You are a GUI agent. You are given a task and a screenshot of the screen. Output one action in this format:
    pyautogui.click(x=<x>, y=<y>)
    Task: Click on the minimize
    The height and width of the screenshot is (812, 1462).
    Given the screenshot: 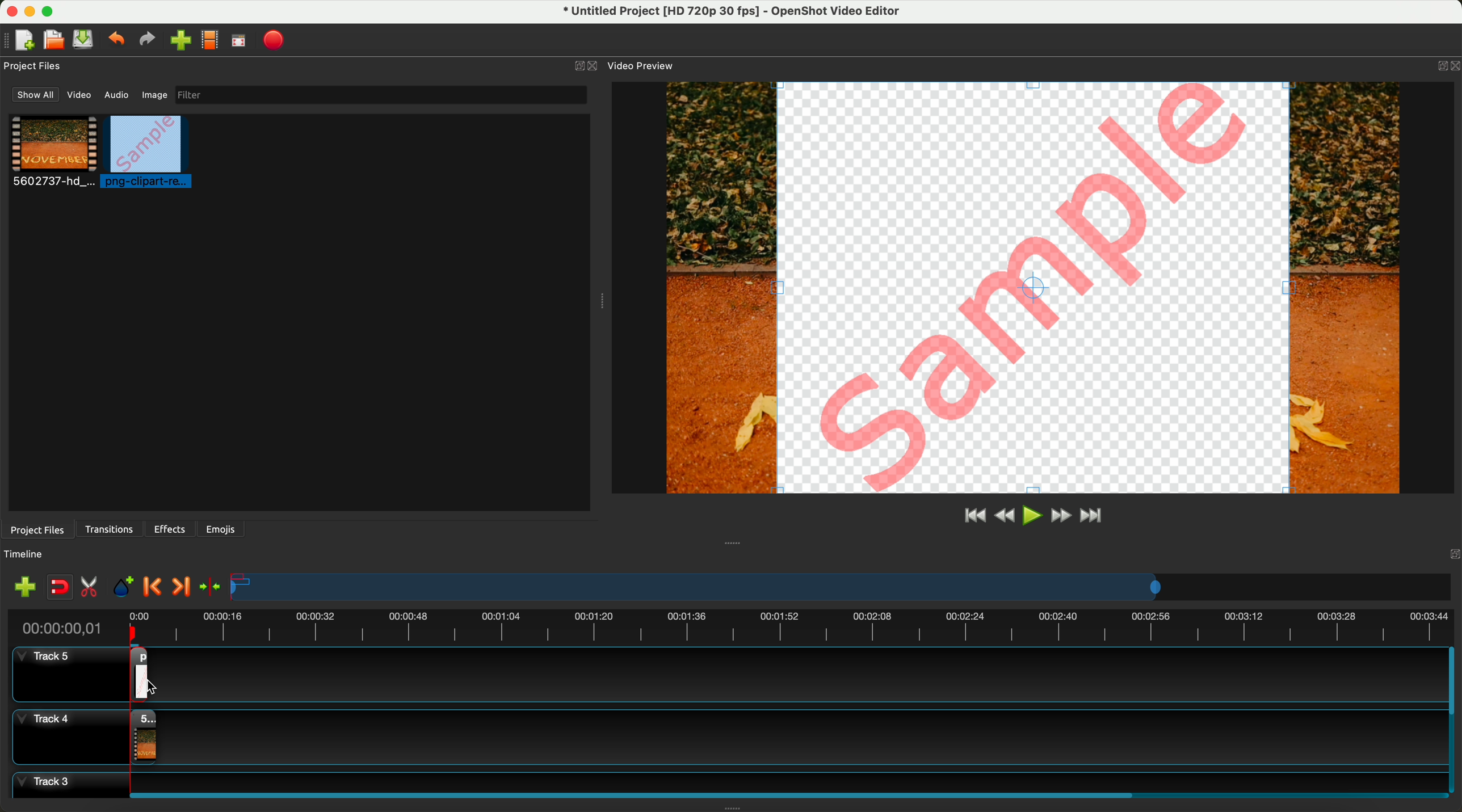 What is the action you would take?
    pyautogui.click(x=30, y=14)
    